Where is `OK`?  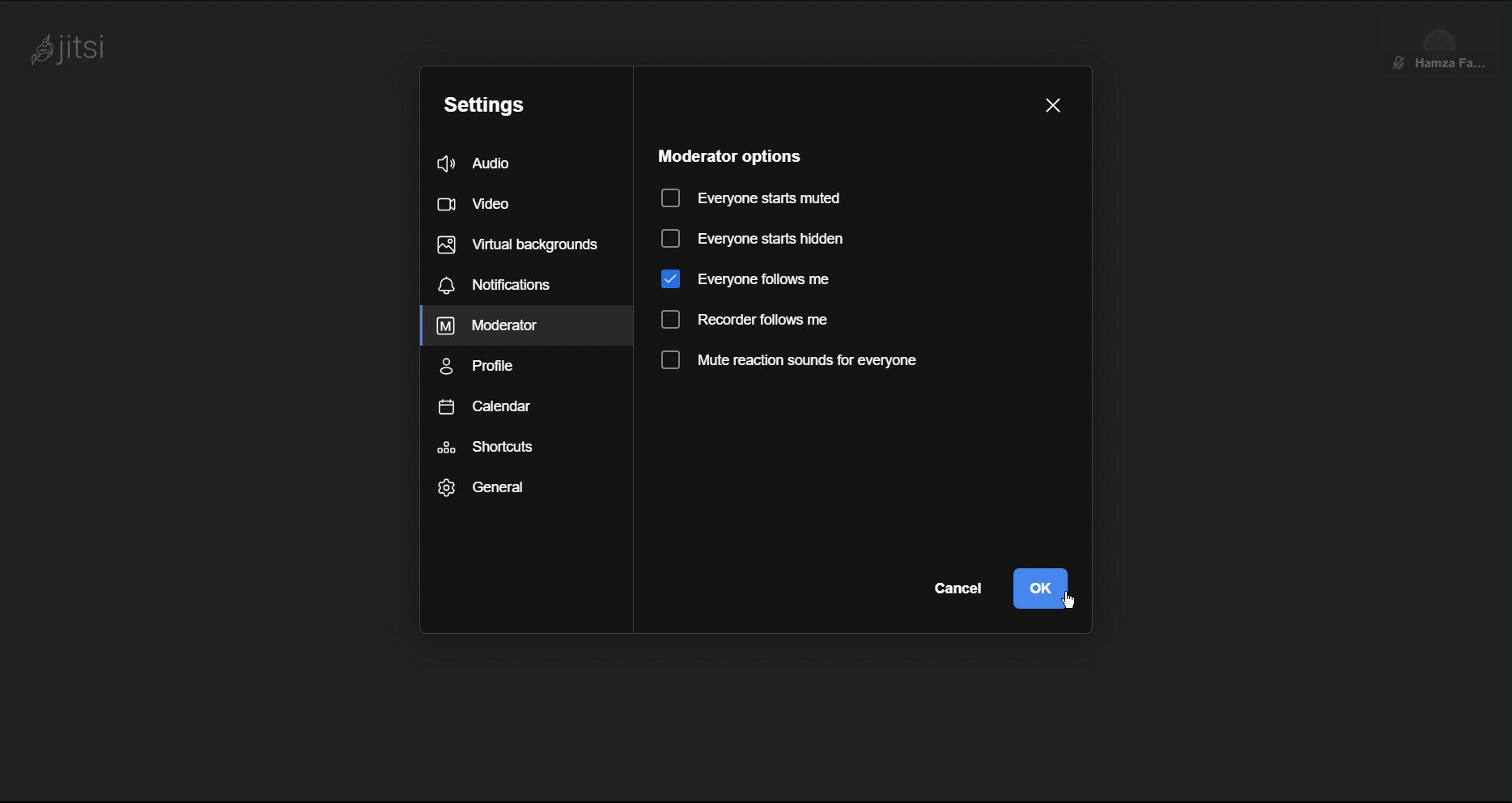 OK is located at coordinates (1041, 588).